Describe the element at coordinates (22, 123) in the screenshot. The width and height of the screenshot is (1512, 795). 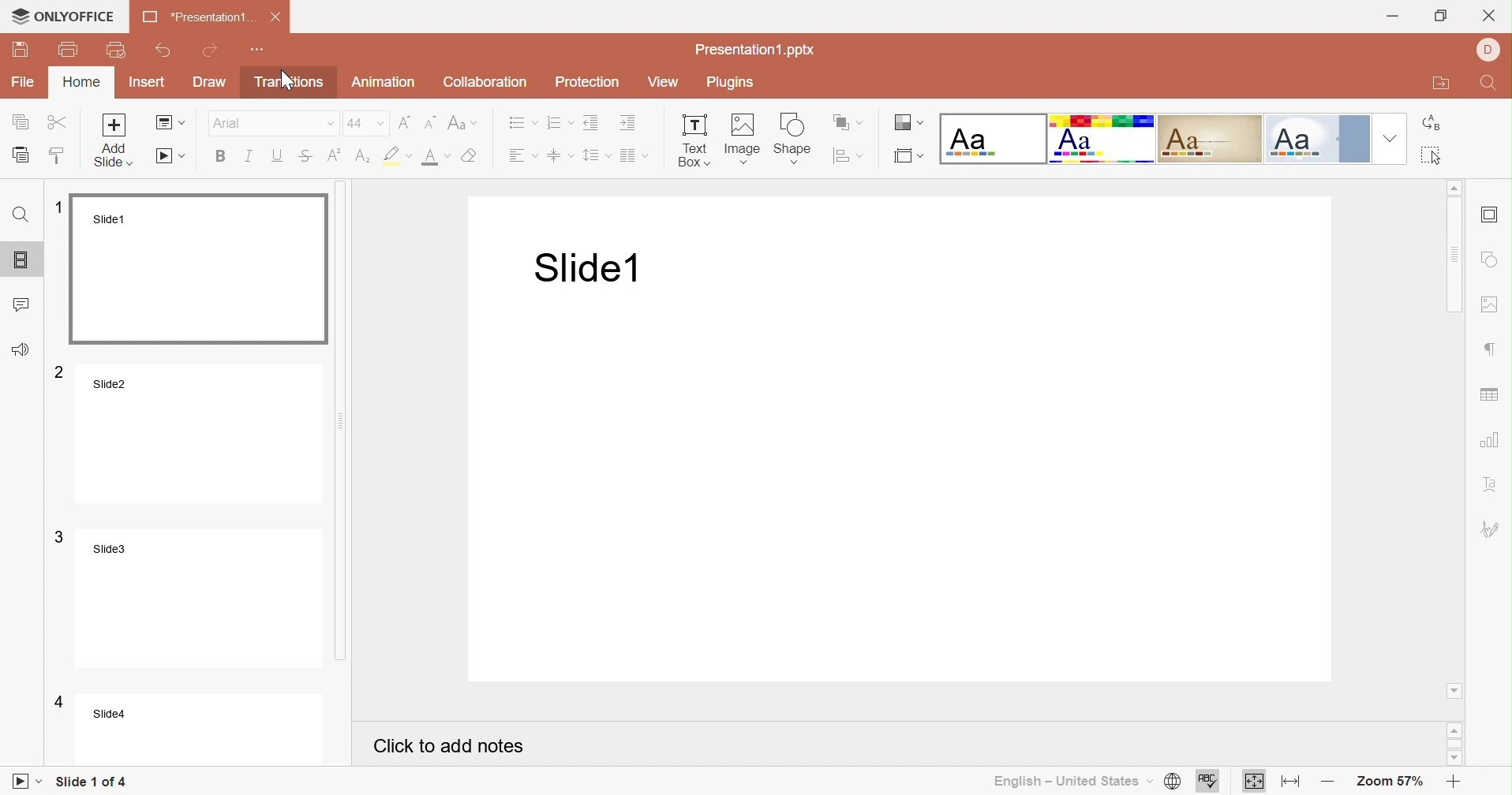
I see `Copy` at that location.